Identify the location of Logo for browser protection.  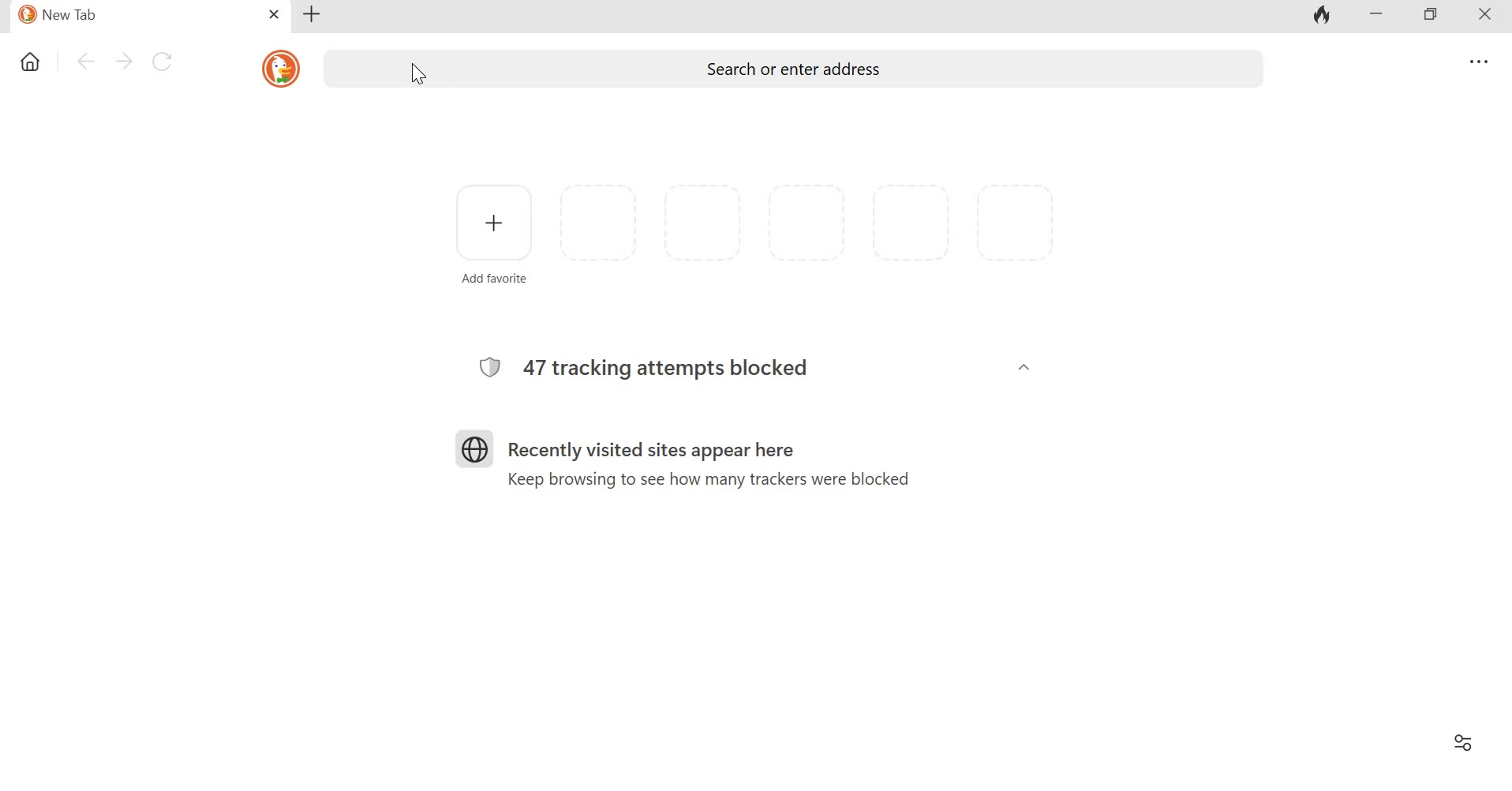
(489, 367).